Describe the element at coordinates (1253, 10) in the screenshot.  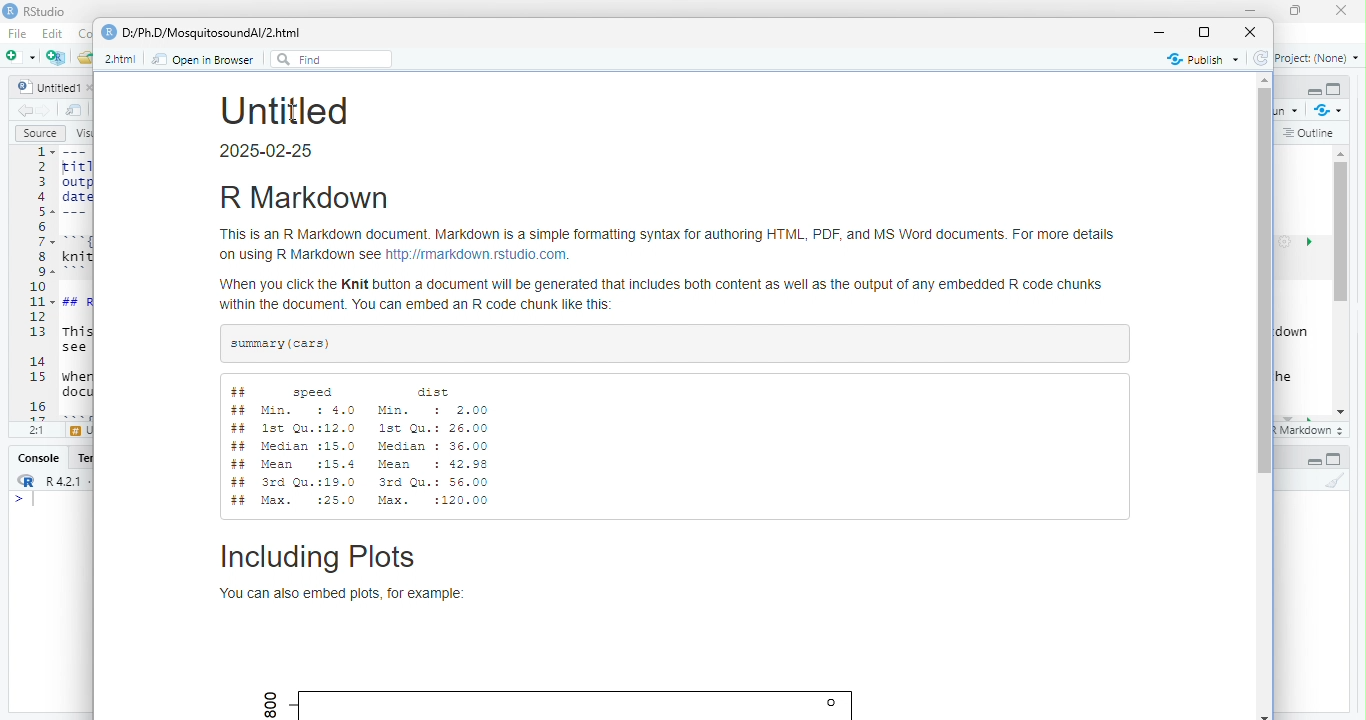
I see `minimise` at that location.